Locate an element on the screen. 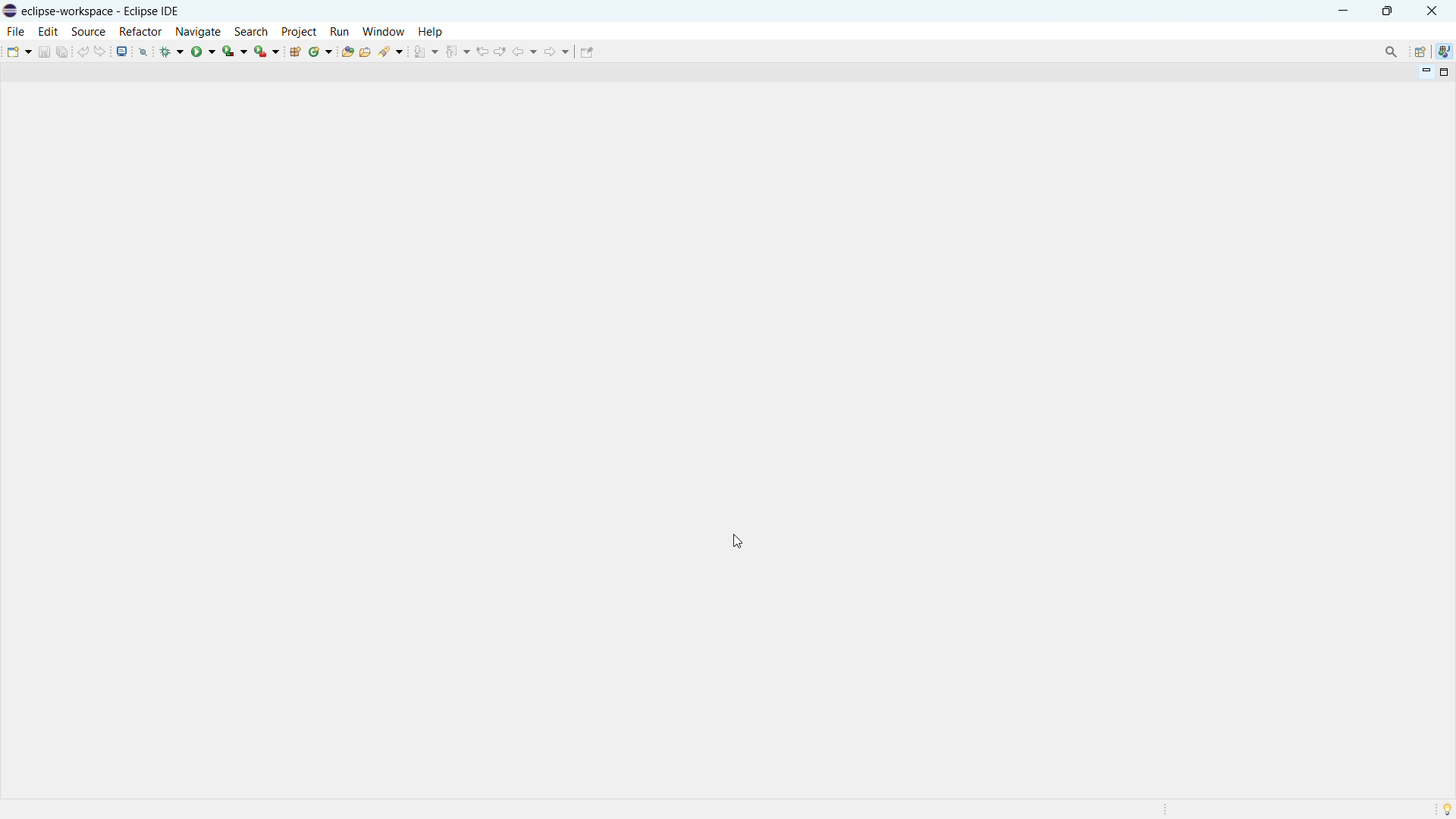 The width and height of the screenshot is (1456, 819). pin editor is located at coordinates (587, 52).